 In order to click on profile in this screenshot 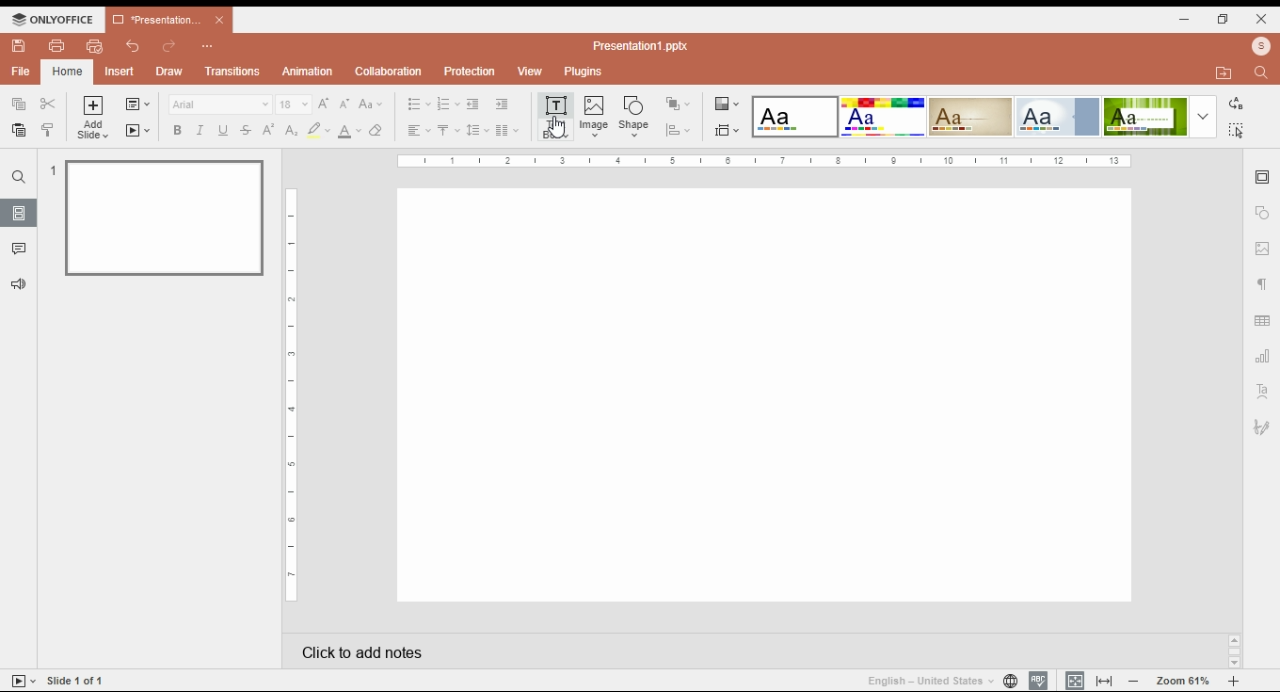, I will do `click(1260, 46)`.